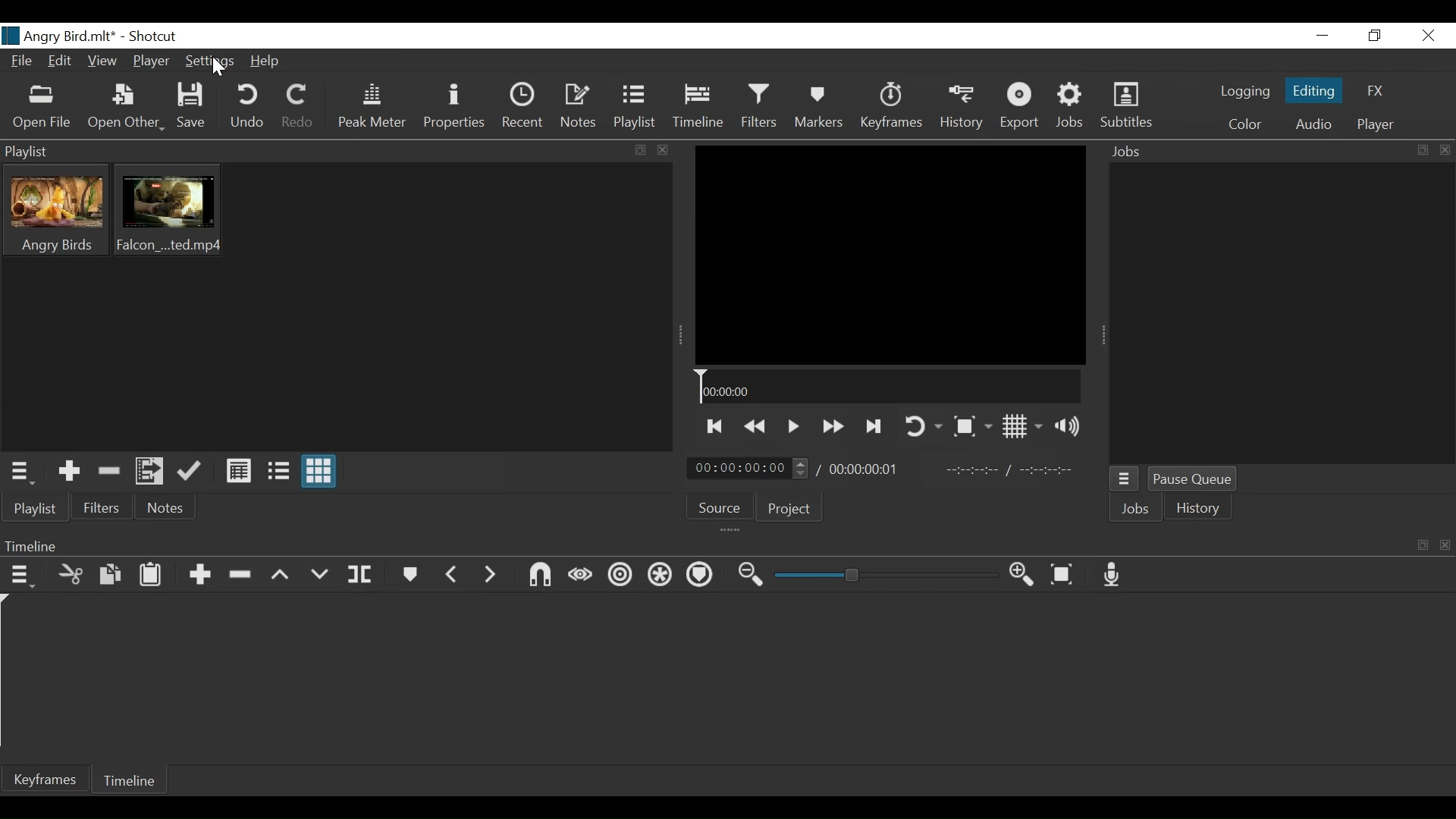 The width and height of the screenshot is (1456, 819). What do you see at coordinates (699, 107) in the screenshot?
I see `Timeline` at bounding box center [699, 107].